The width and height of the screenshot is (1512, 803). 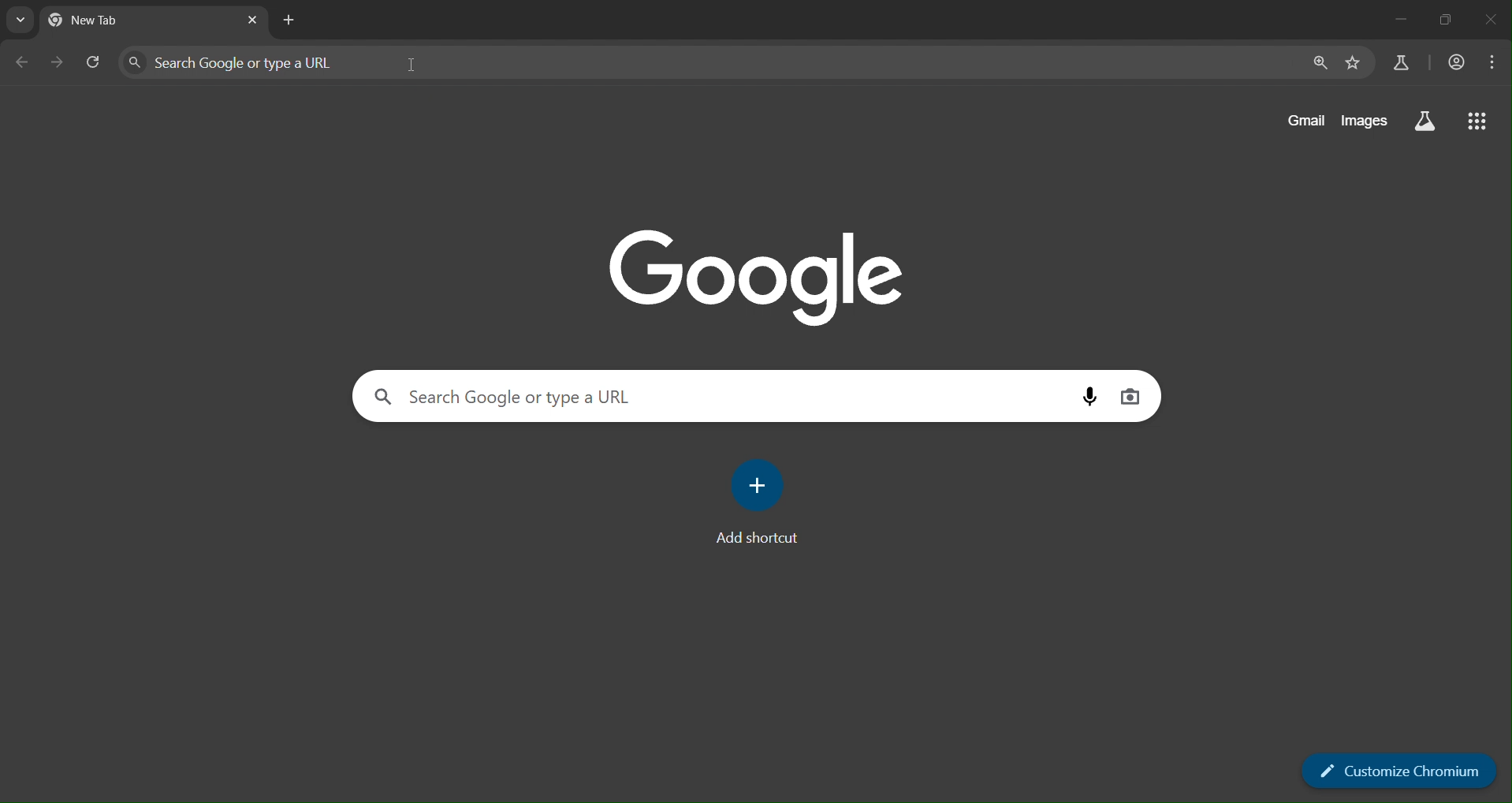 What do you see at coordinates (1492, 64) in the screenshot?
I see `menu` at bounding box center [1492, 64].